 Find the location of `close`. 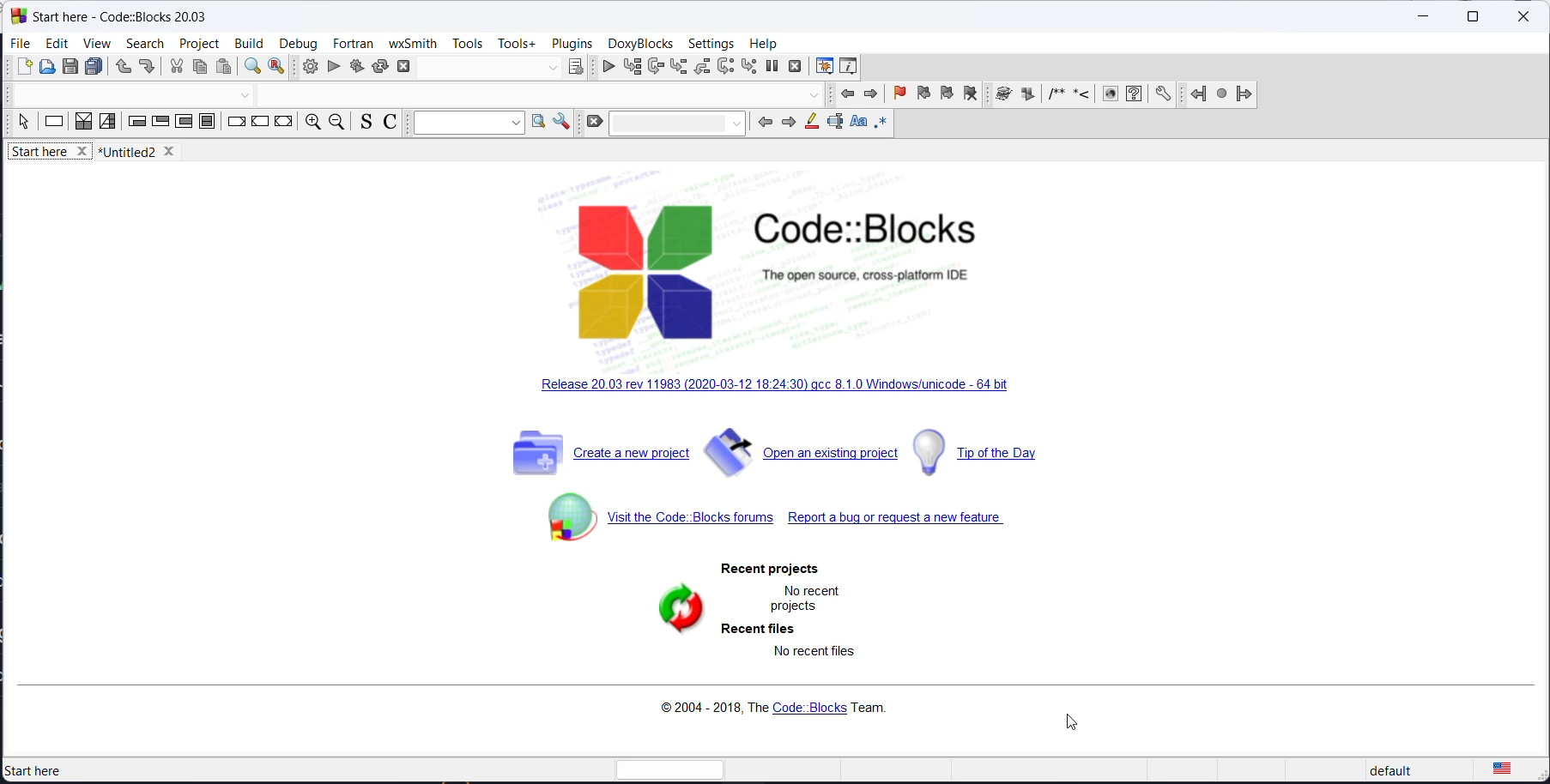

close is located at coordinates (1523, 18).